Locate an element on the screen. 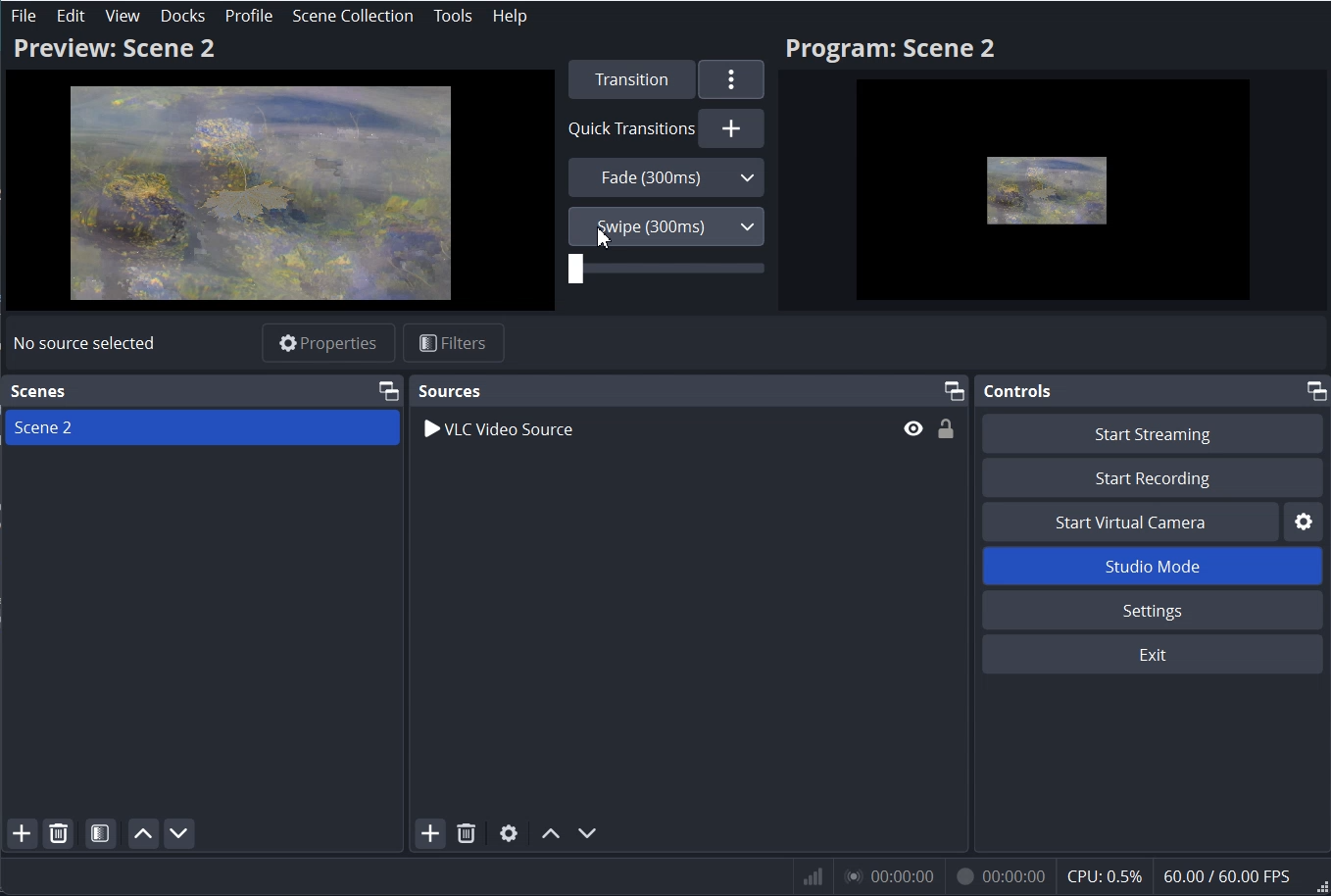 This screenshot has height=896, width=1331. Source is located at coordinates (449, 390).